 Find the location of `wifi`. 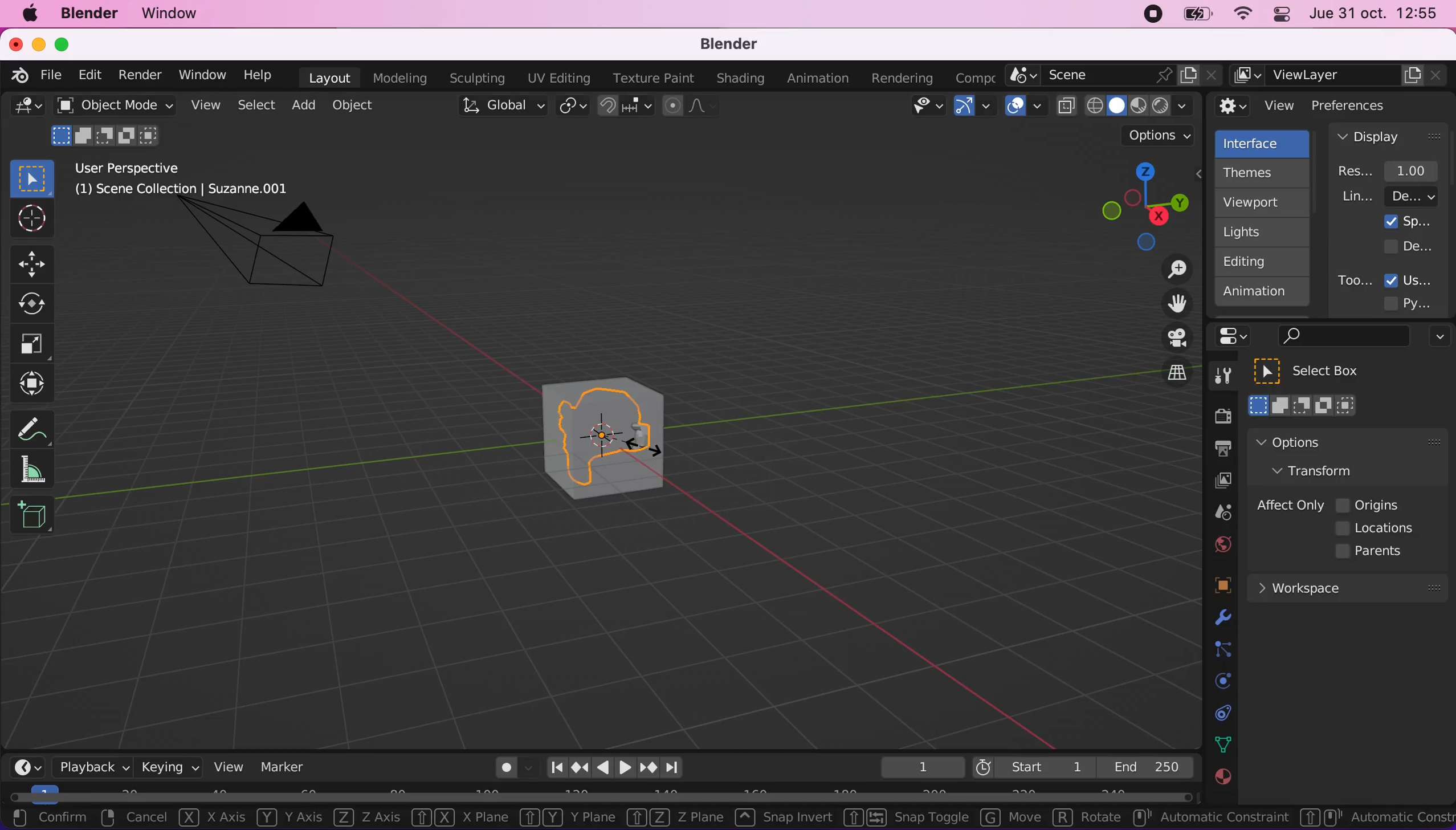

wifi is located at coordinates (1239, 17).